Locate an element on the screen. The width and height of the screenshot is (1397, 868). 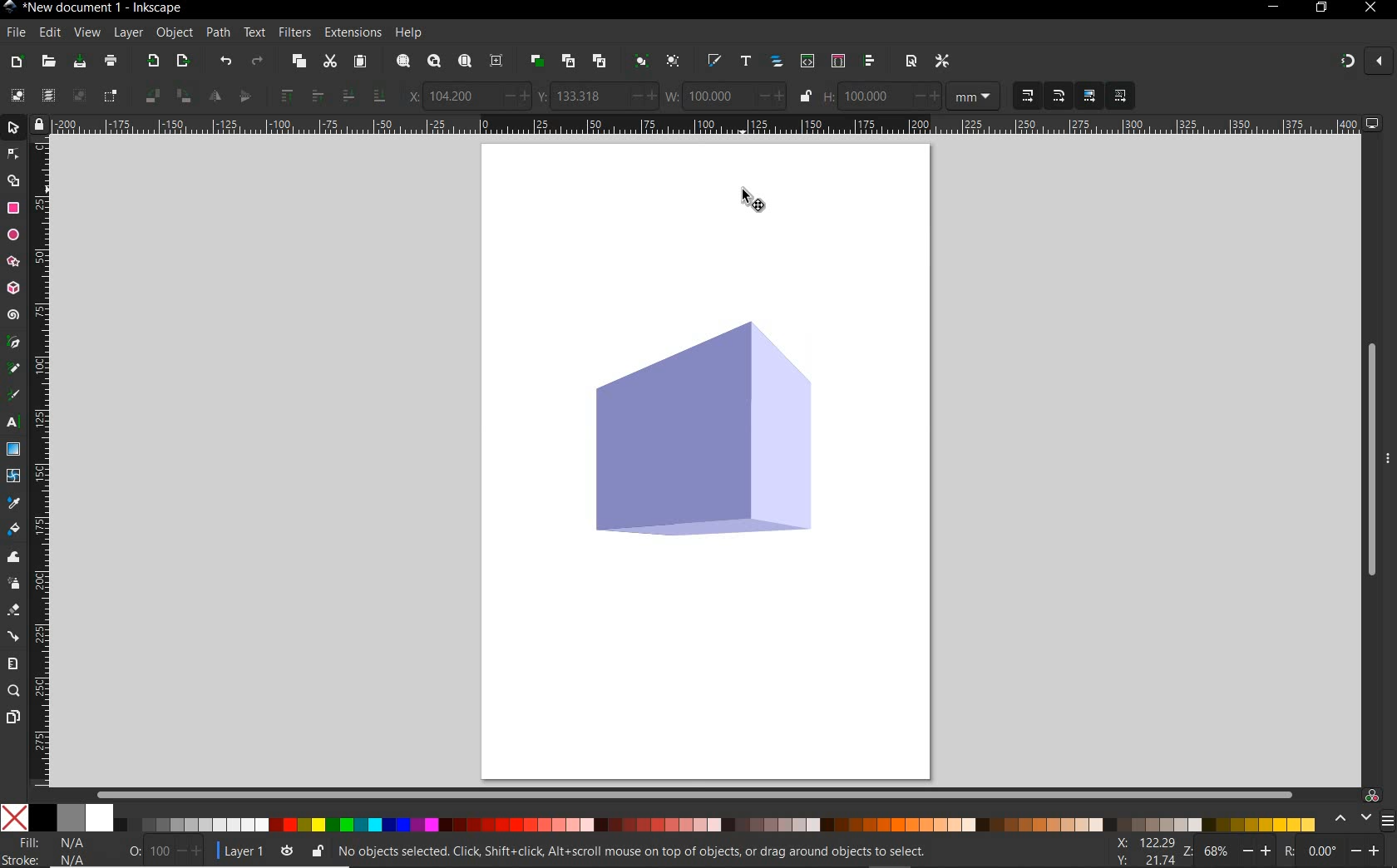
title is located at coordinates (102, 10).